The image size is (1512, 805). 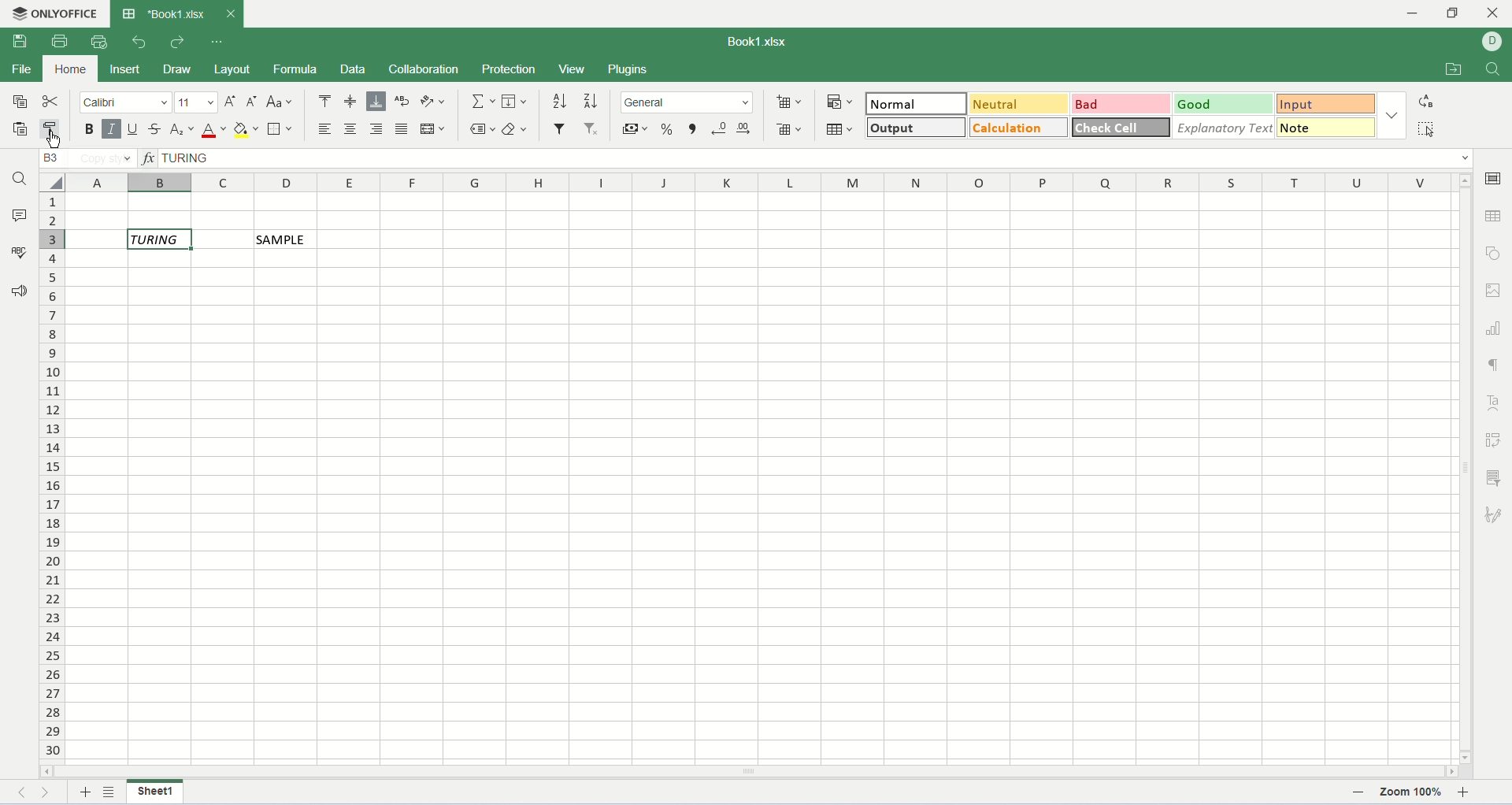 I want to click on comment, so click(x=18, y=214).